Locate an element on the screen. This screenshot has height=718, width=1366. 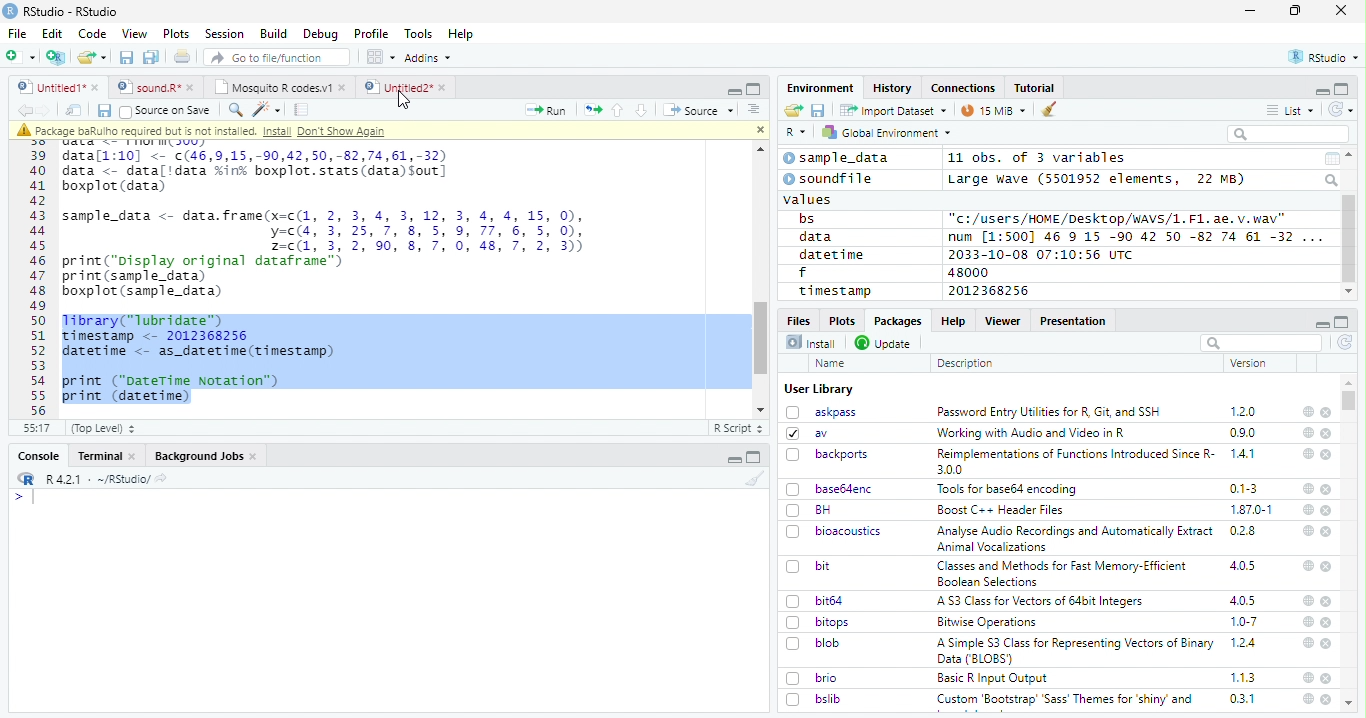
scroll bar is located at coordinates (762, 337).